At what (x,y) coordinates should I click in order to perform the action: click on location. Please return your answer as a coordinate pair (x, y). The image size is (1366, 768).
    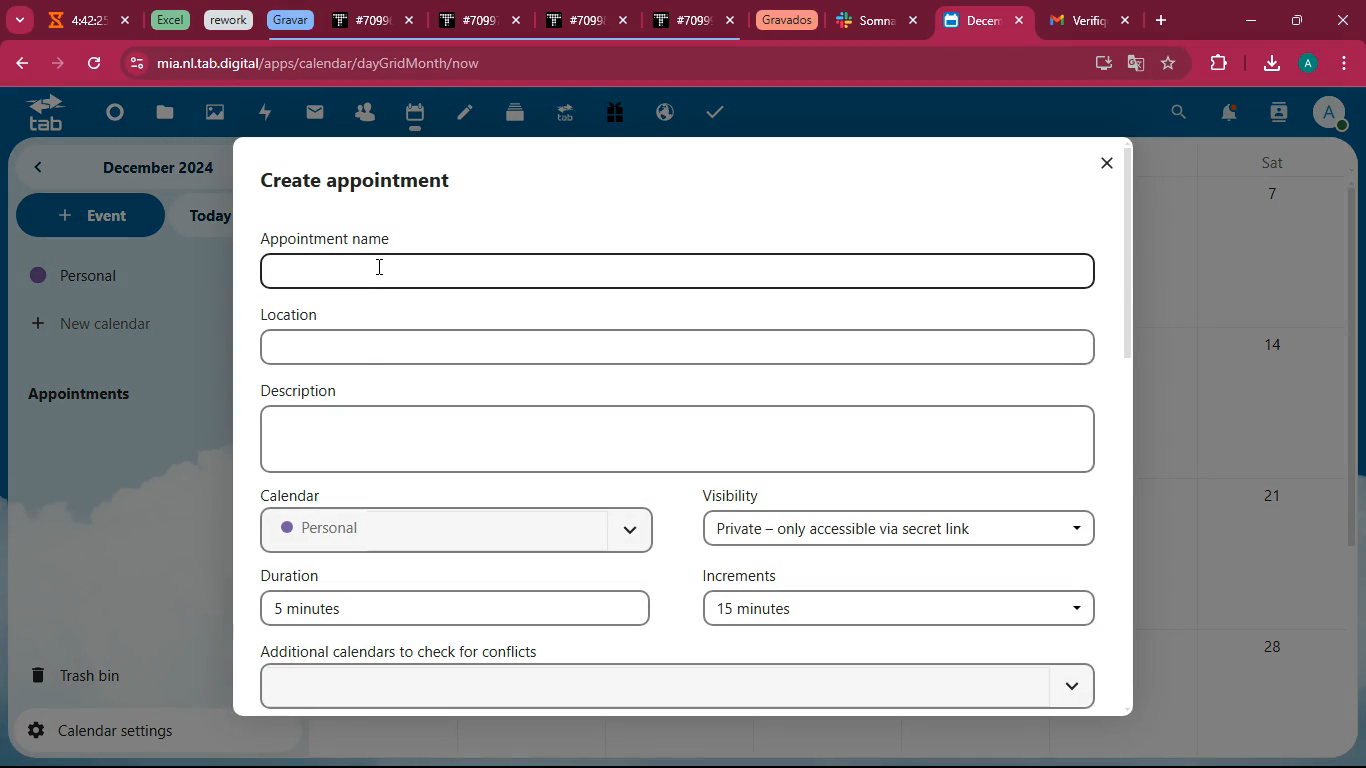
    Looking at the image, I should click on (292, 315).